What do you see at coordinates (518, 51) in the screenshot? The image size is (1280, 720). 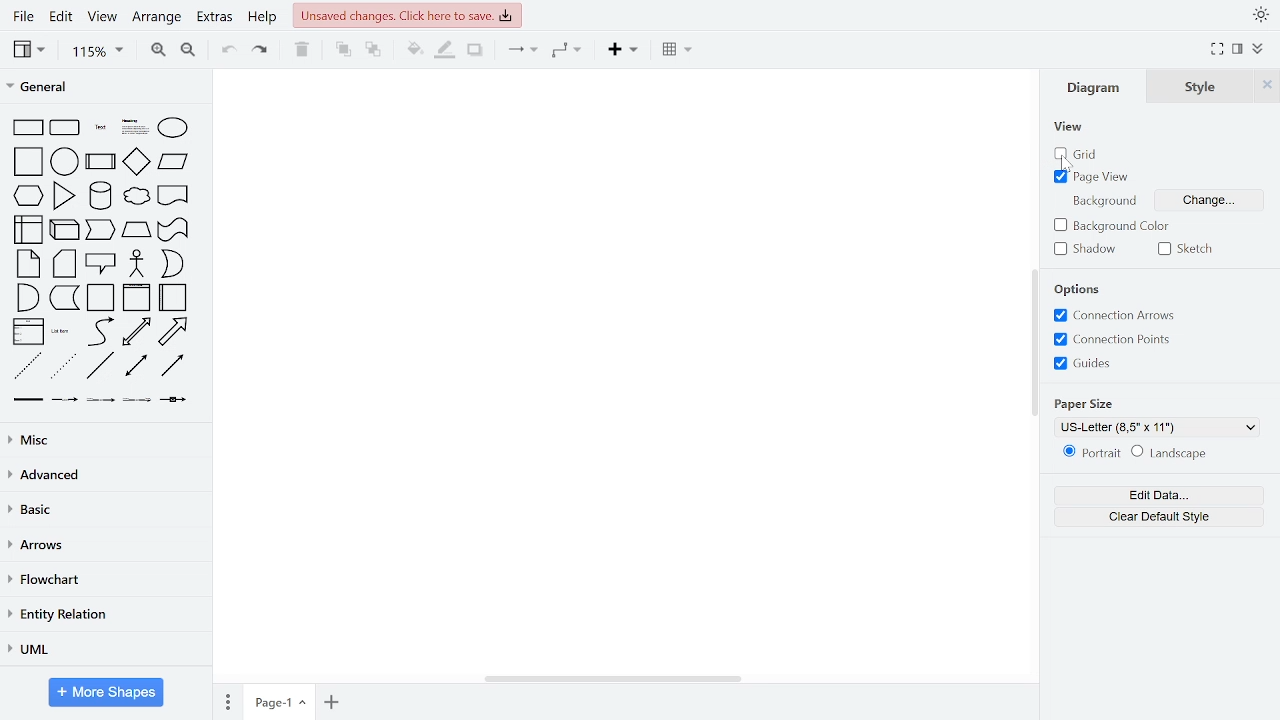 I see `connector` at bounding box center [518, 51].